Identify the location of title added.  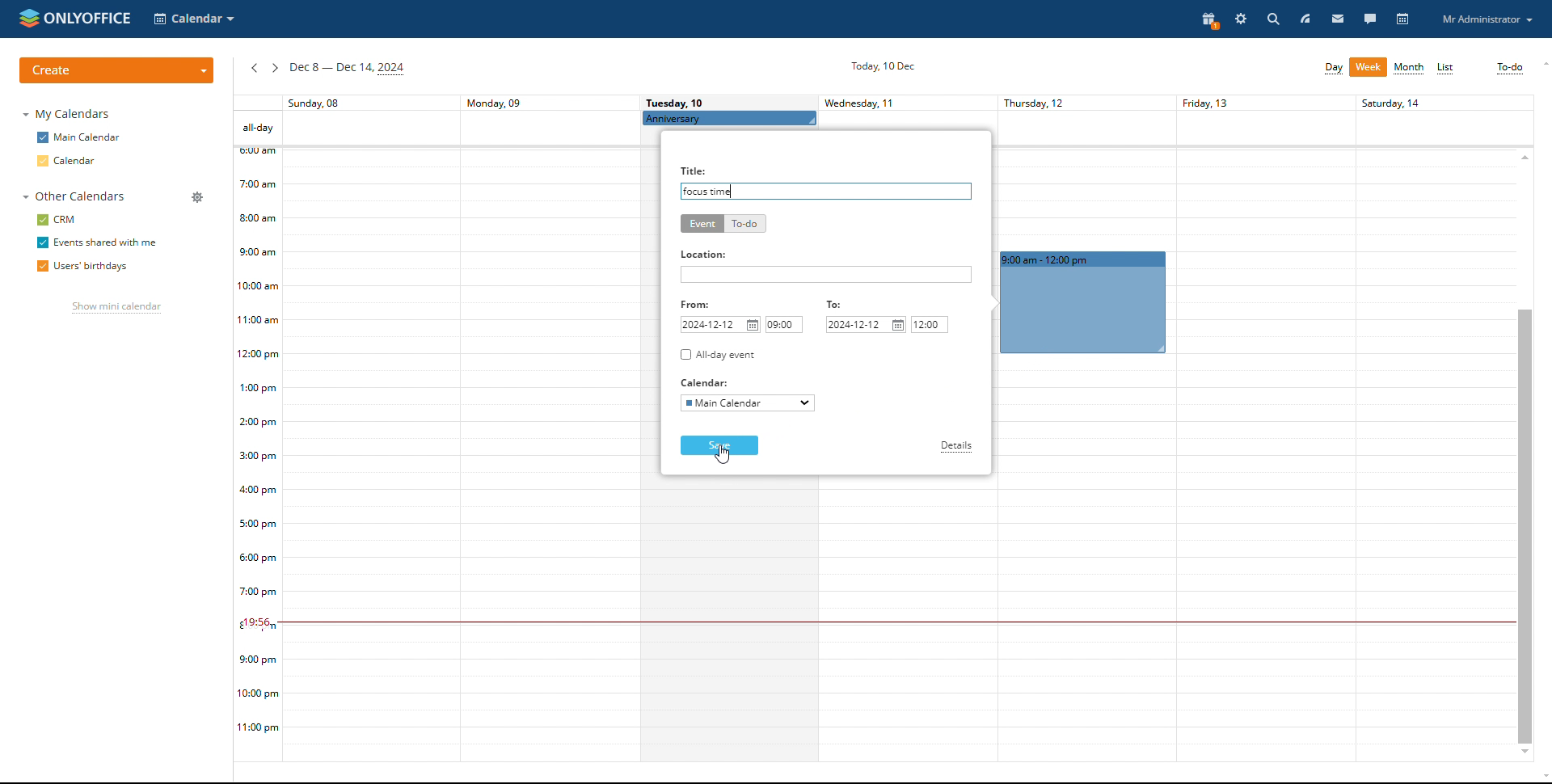
(710, 192).